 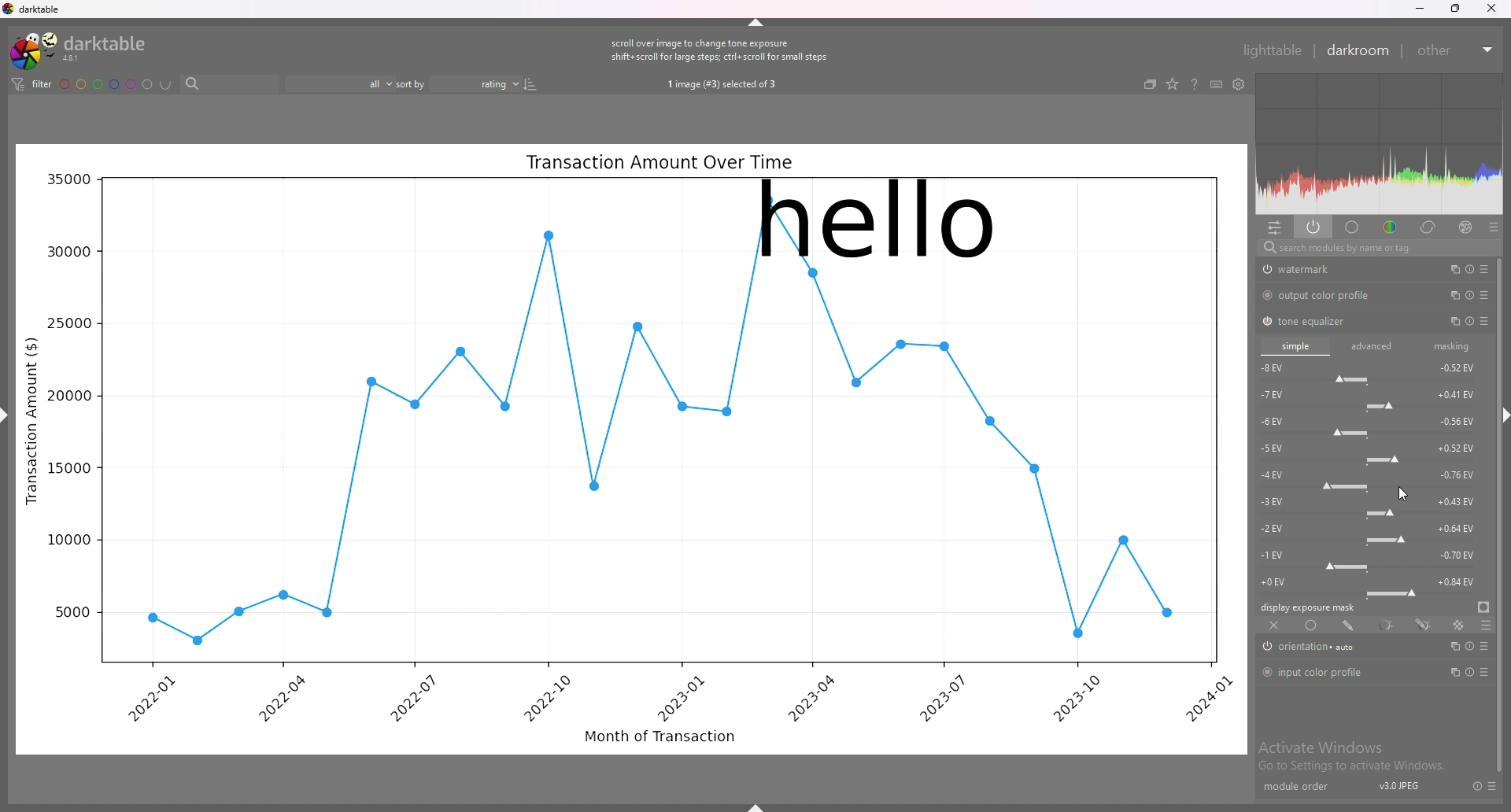 What do you see at coordinates (1456, 625) in the screenshot?
I see `raster mask` at bounding box center [1456, 625].